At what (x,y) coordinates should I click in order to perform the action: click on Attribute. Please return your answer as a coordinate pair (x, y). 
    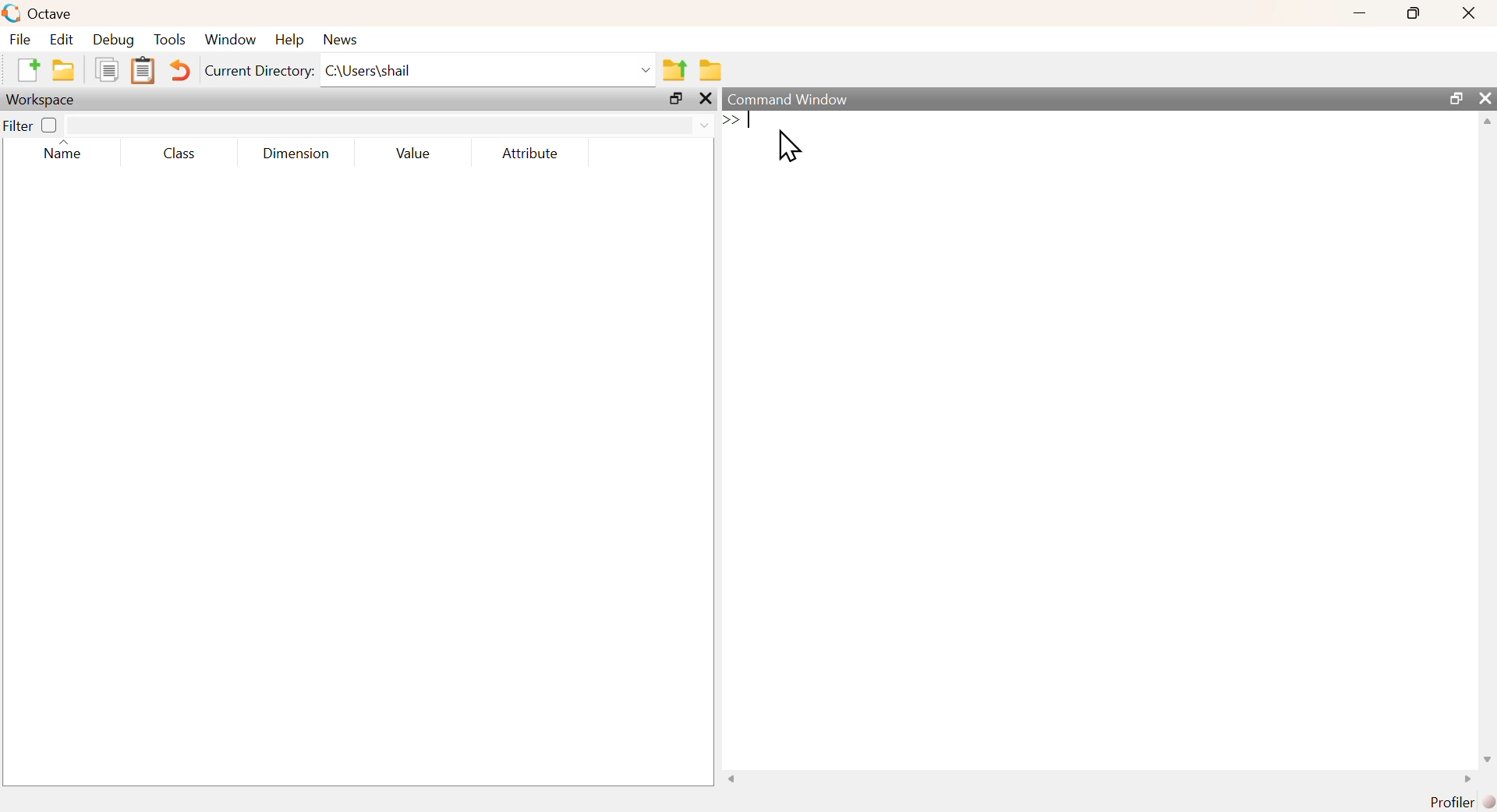
    Looking at the image, I should click on (531, 153).